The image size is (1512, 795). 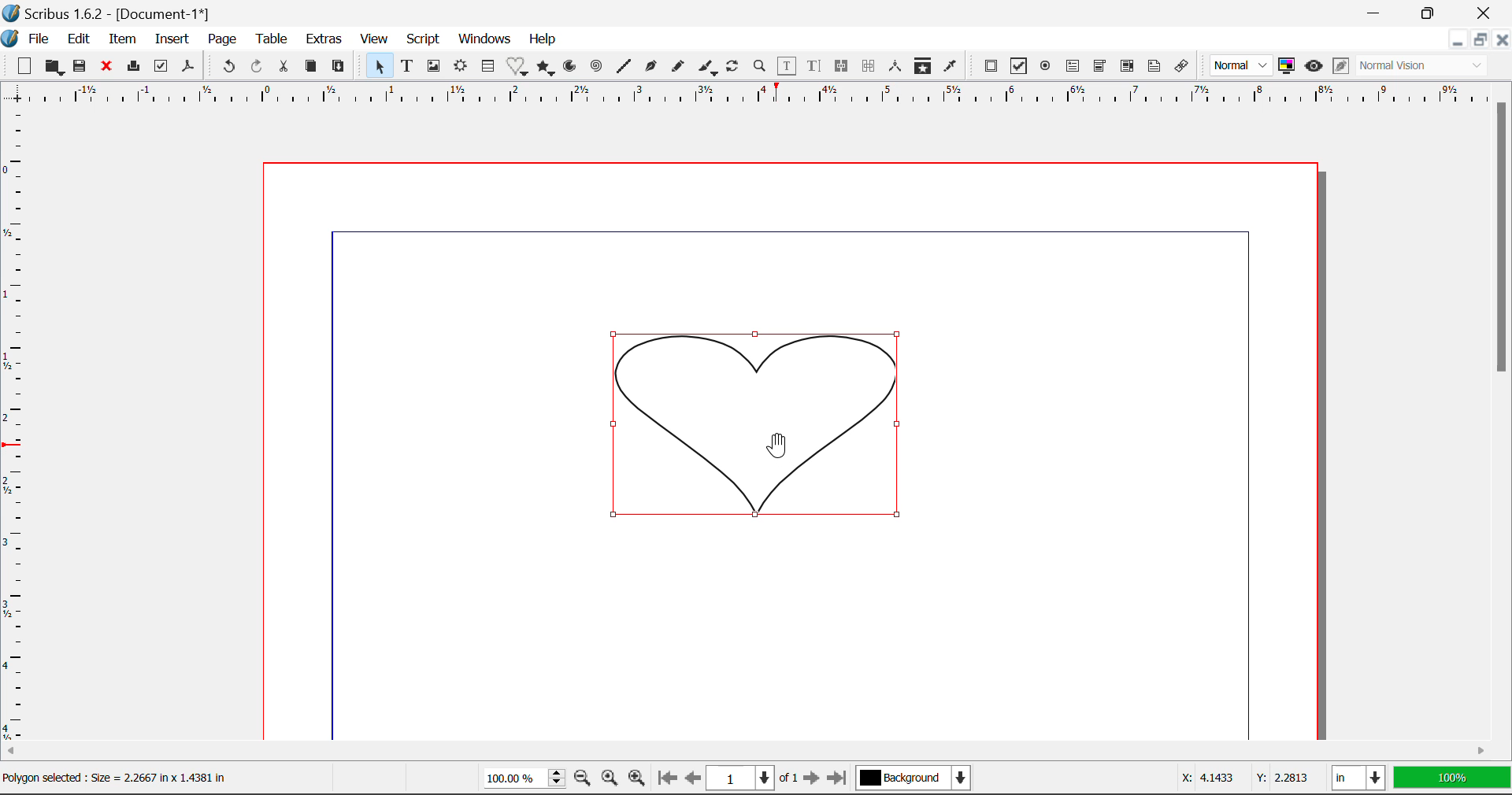 What do you see at coordinates (652, 68) in the screenshot?
I see `Bezier Curve` at bounding box center [652, 68].